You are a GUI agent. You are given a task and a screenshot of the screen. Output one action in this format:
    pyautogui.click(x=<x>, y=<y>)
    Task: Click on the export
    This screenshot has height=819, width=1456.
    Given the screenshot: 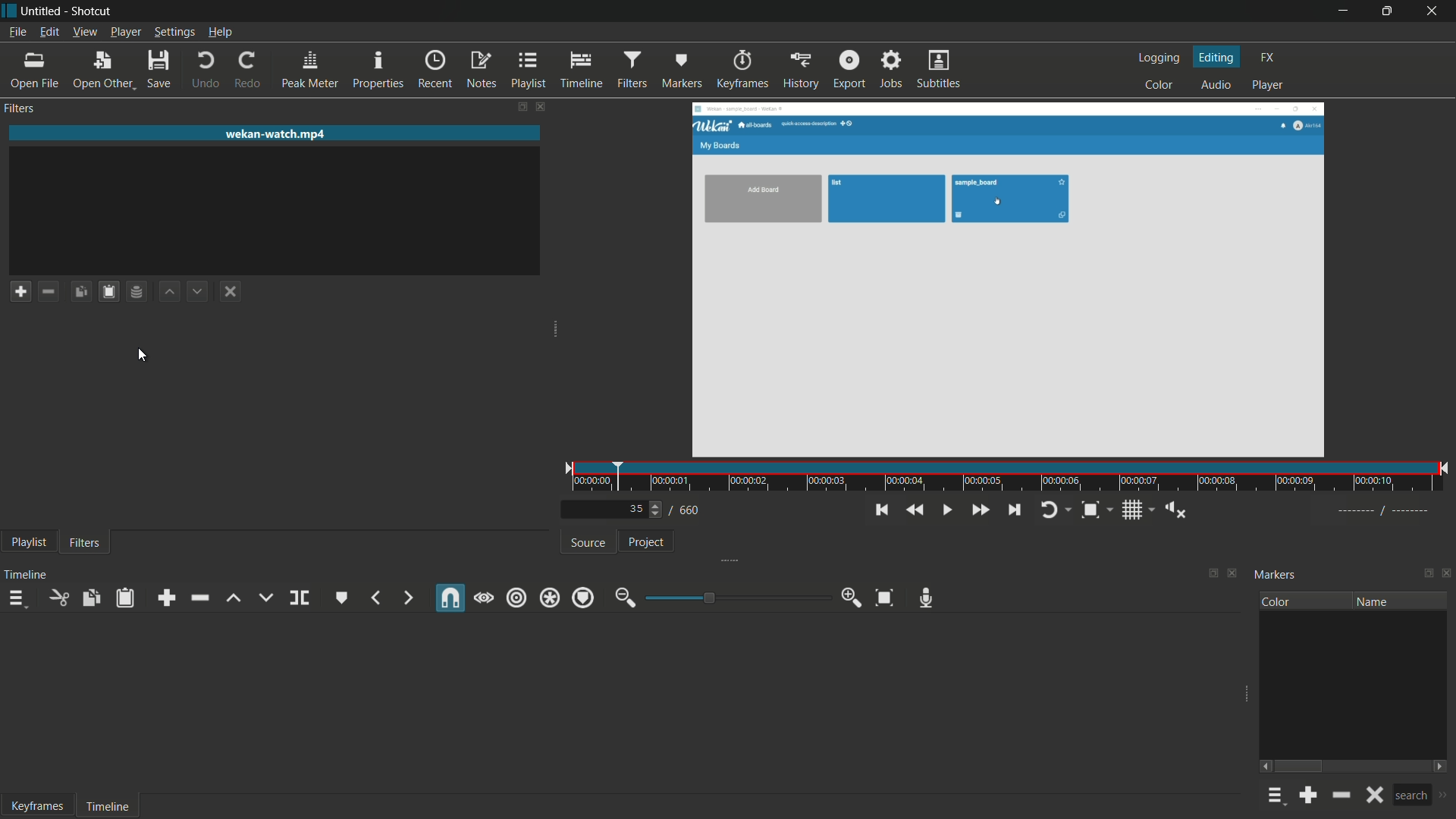 What is the action you would take?
    pyautogui.click(x=848, y=71)
    